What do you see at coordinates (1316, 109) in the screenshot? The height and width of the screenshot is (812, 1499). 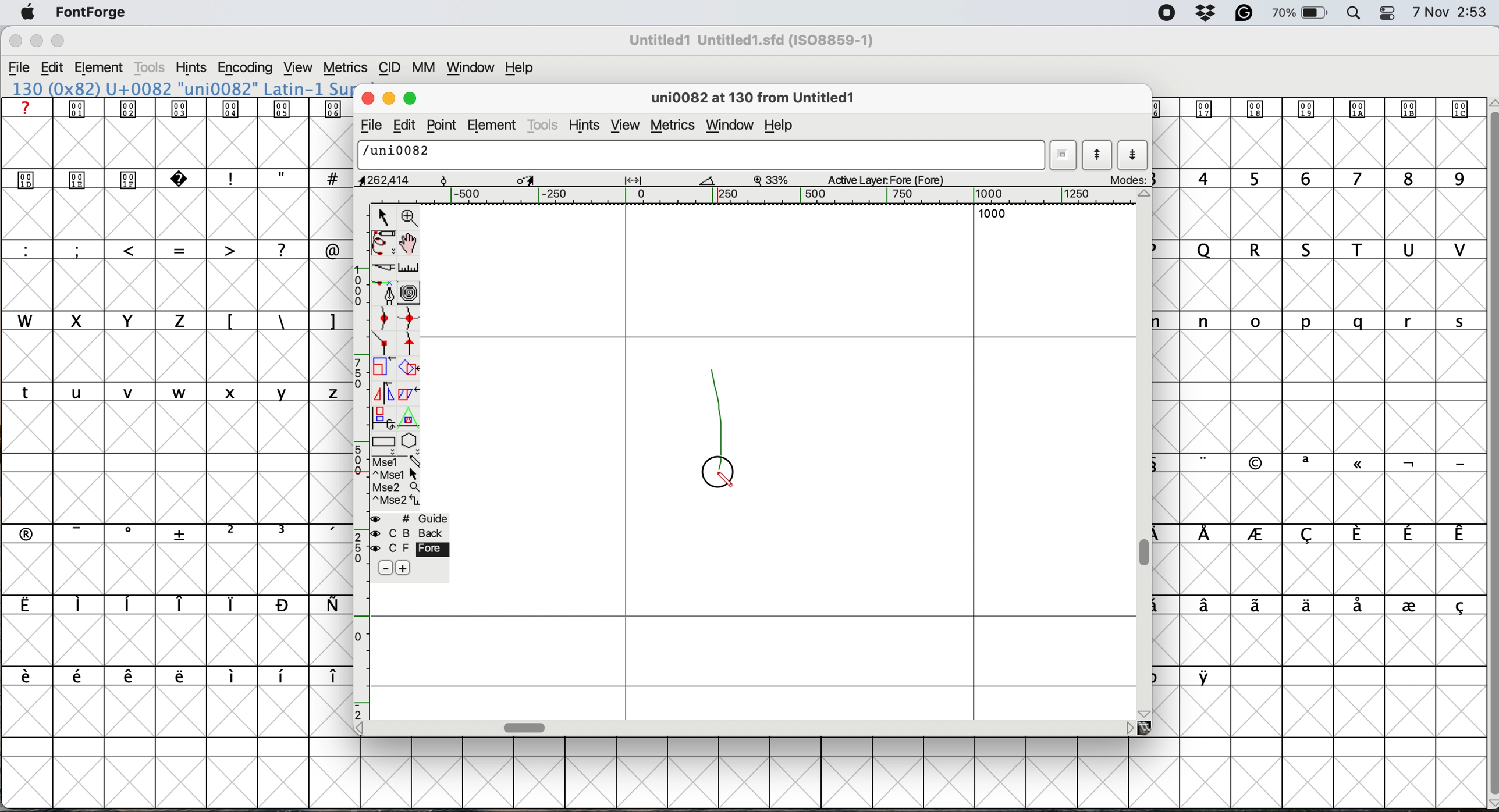 I see `special icons` at bounding box center [1316, 109].